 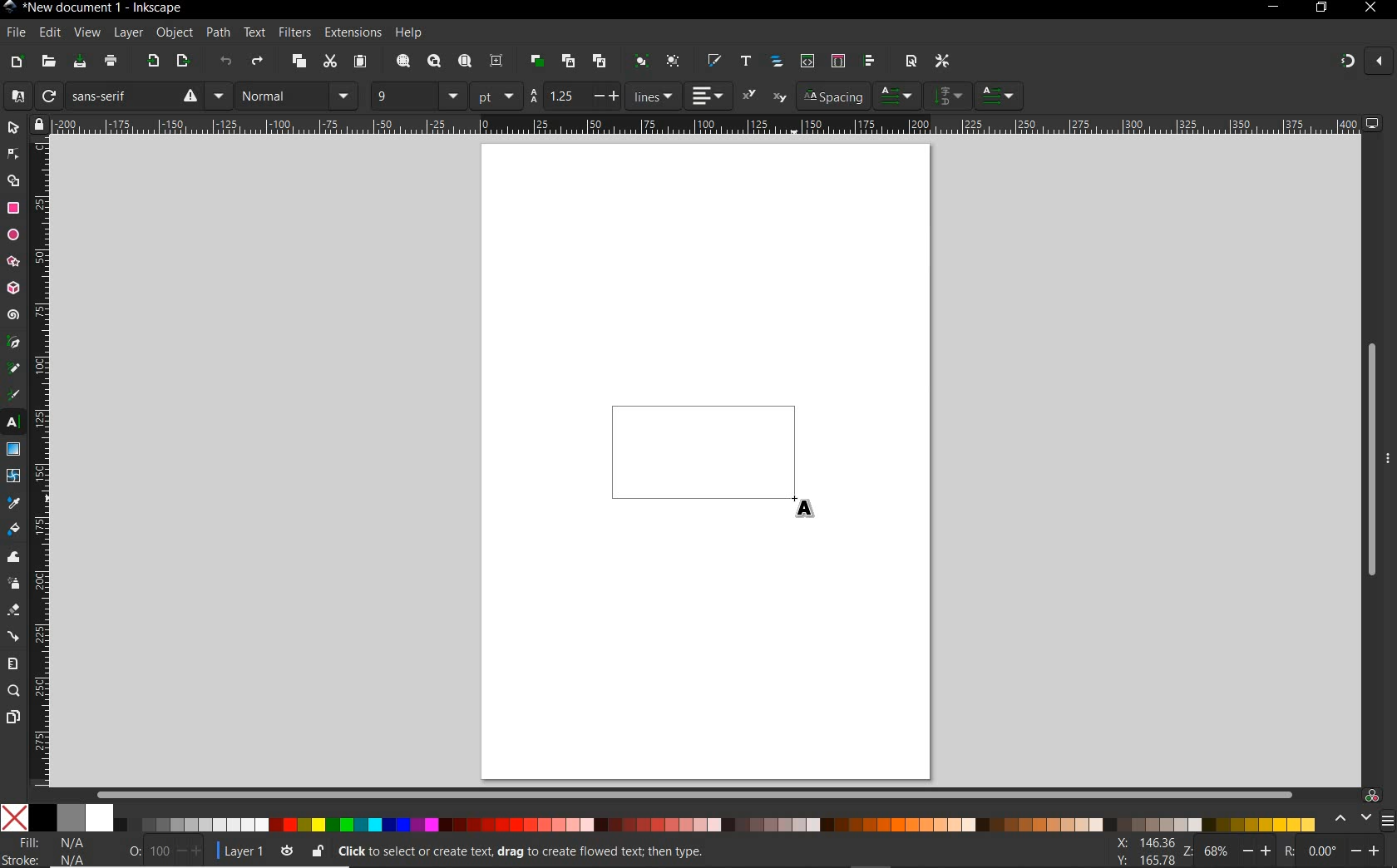 I want to click on 0, so click(x=134, y=848).